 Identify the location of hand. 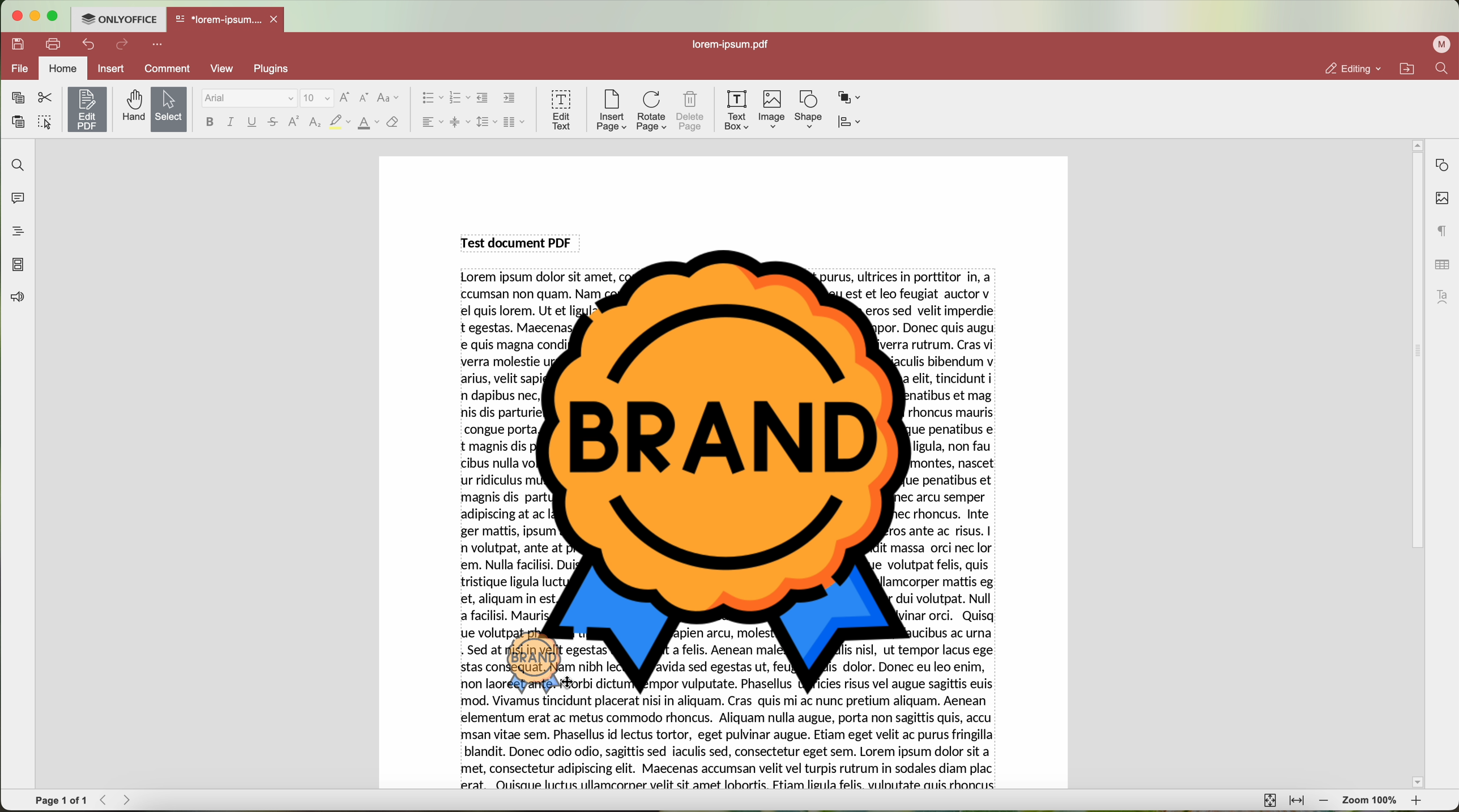
(132, 106).